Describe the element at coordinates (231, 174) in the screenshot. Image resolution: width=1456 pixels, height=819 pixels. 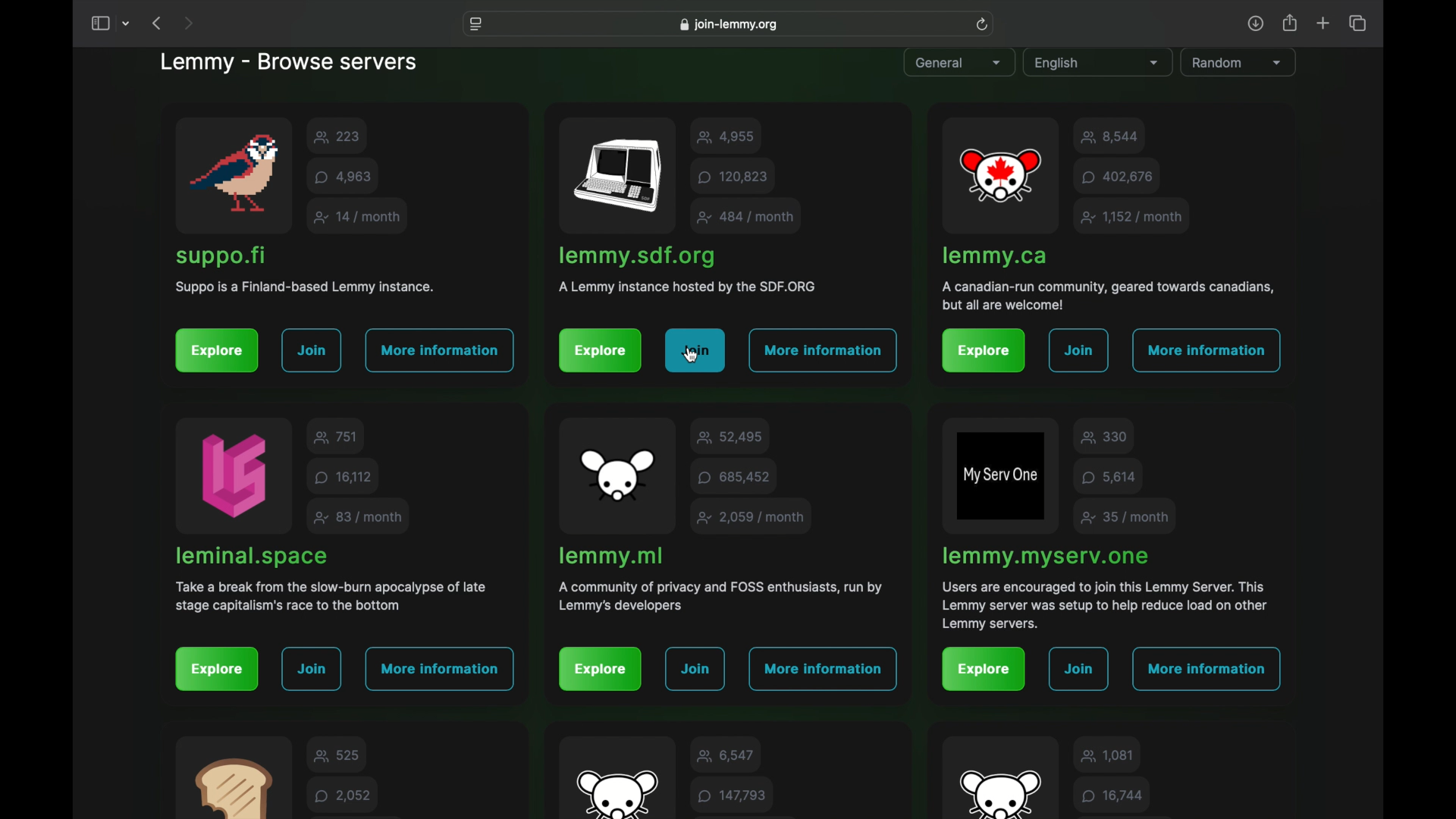
I see `server icon` at that location.